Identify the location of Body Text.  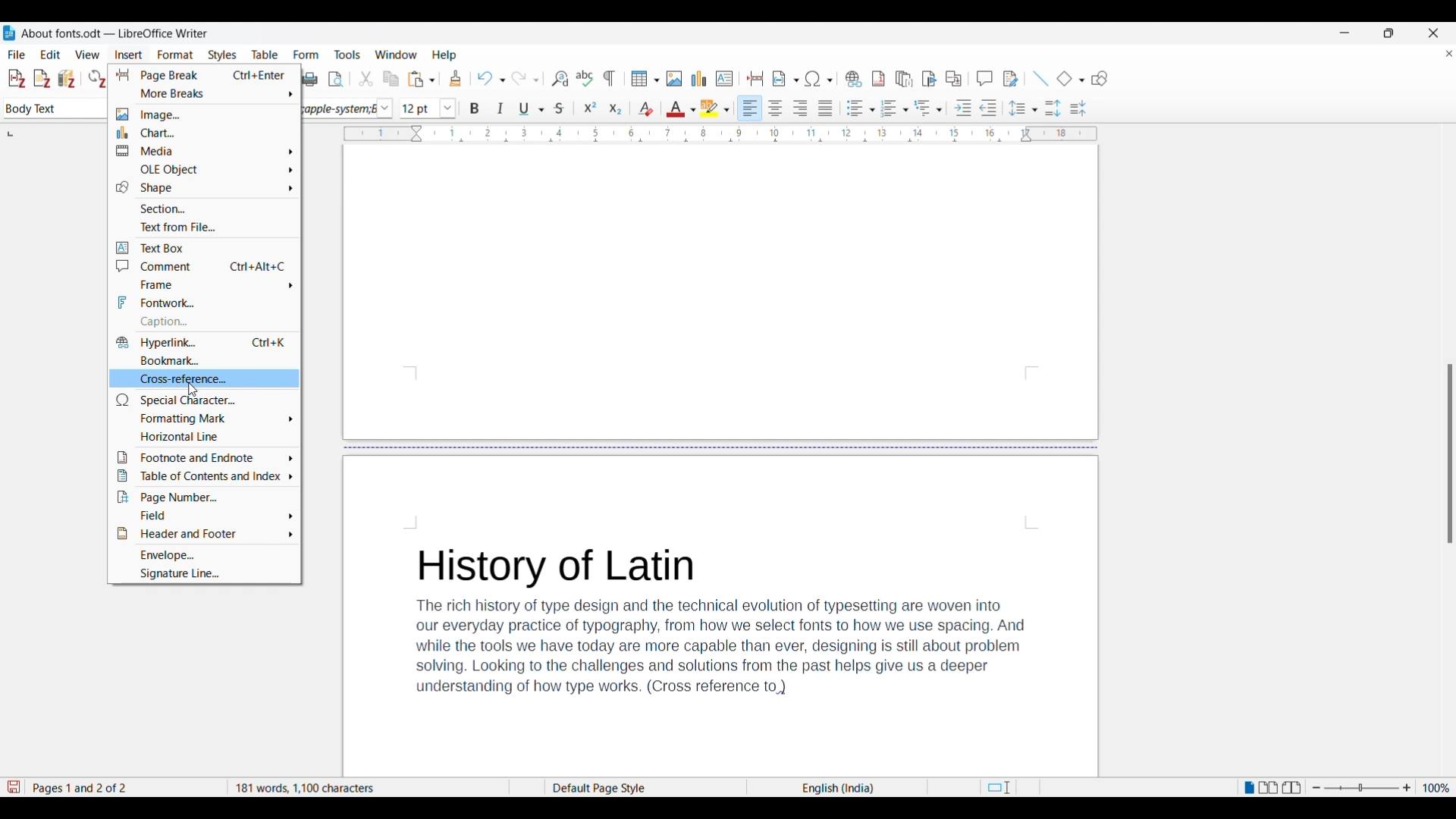
(41, 109).